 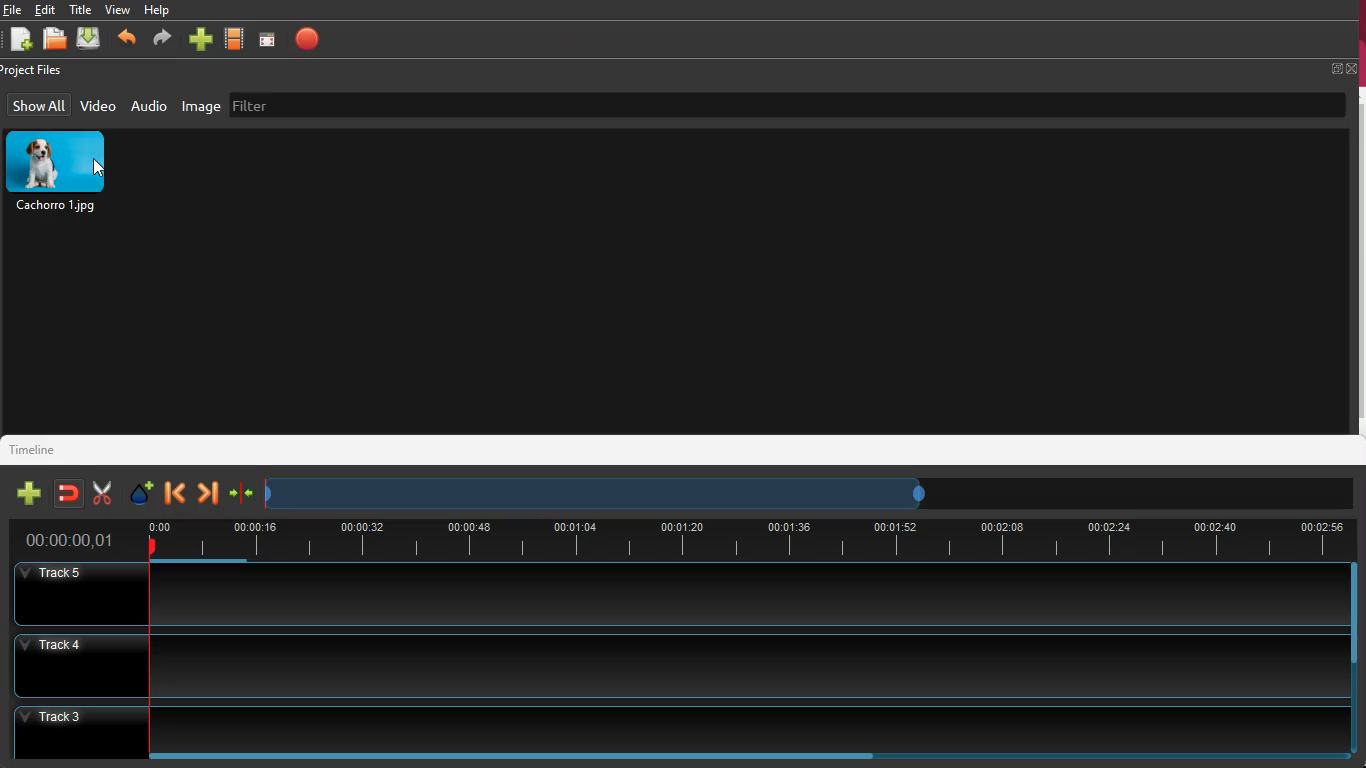 What do you see at coordinates (60, 174) in the screenshot?
I see `image` at bounding box center [60, 174].